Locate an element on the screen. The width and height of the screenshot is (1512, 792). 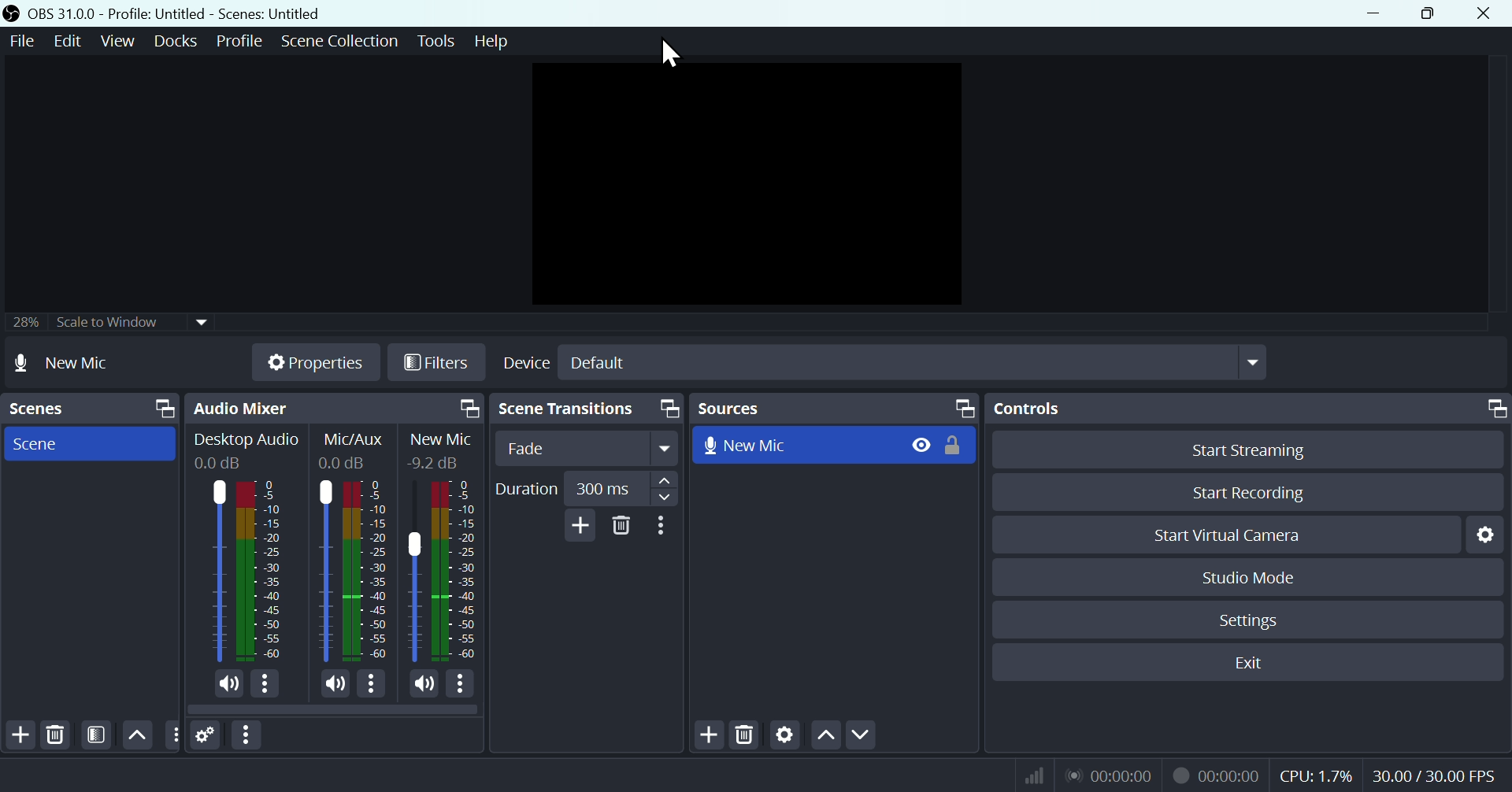
Scene is located at coordinates (86, 442).